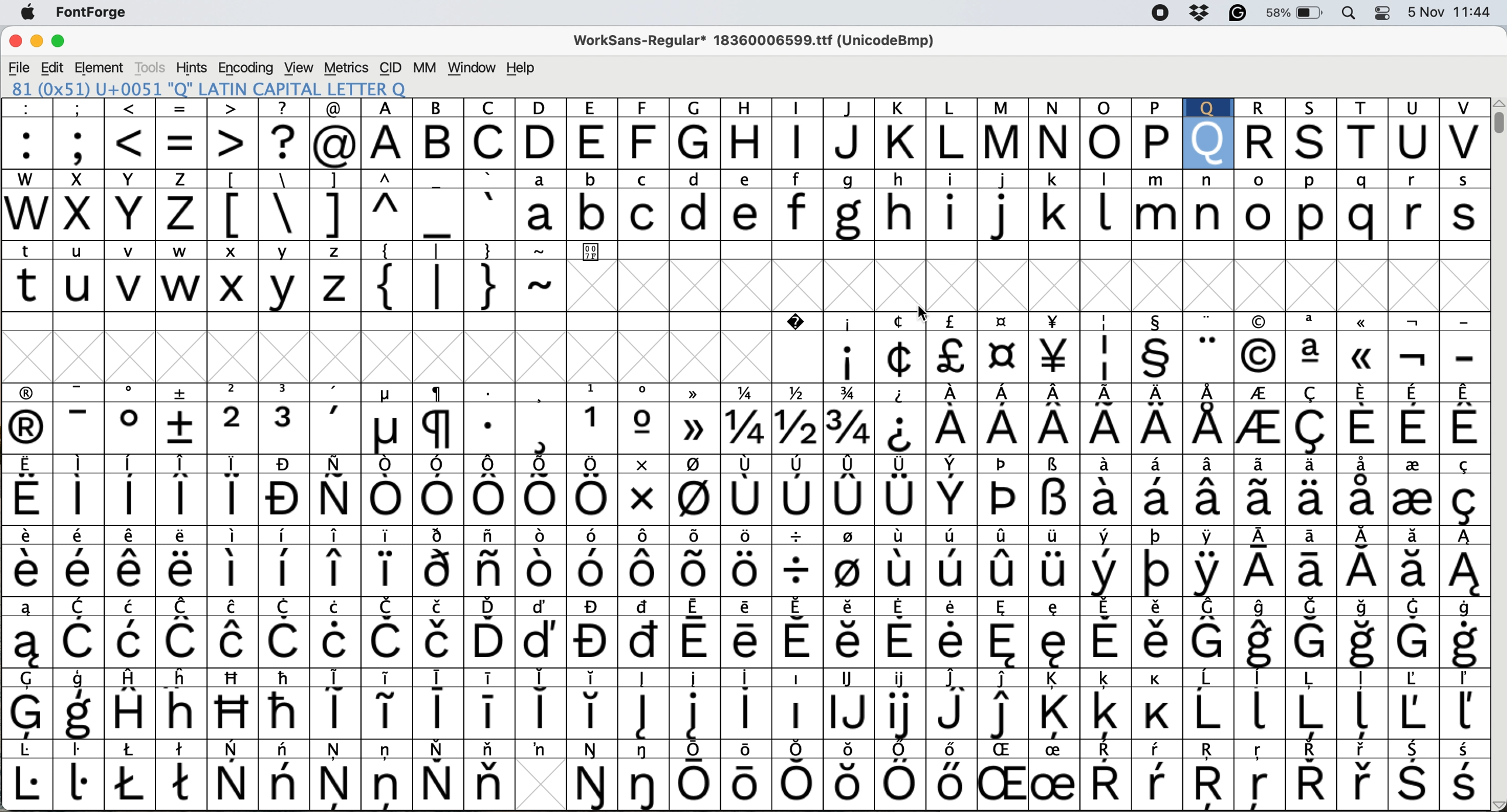  I want to click on special characters, so click(743, 643).